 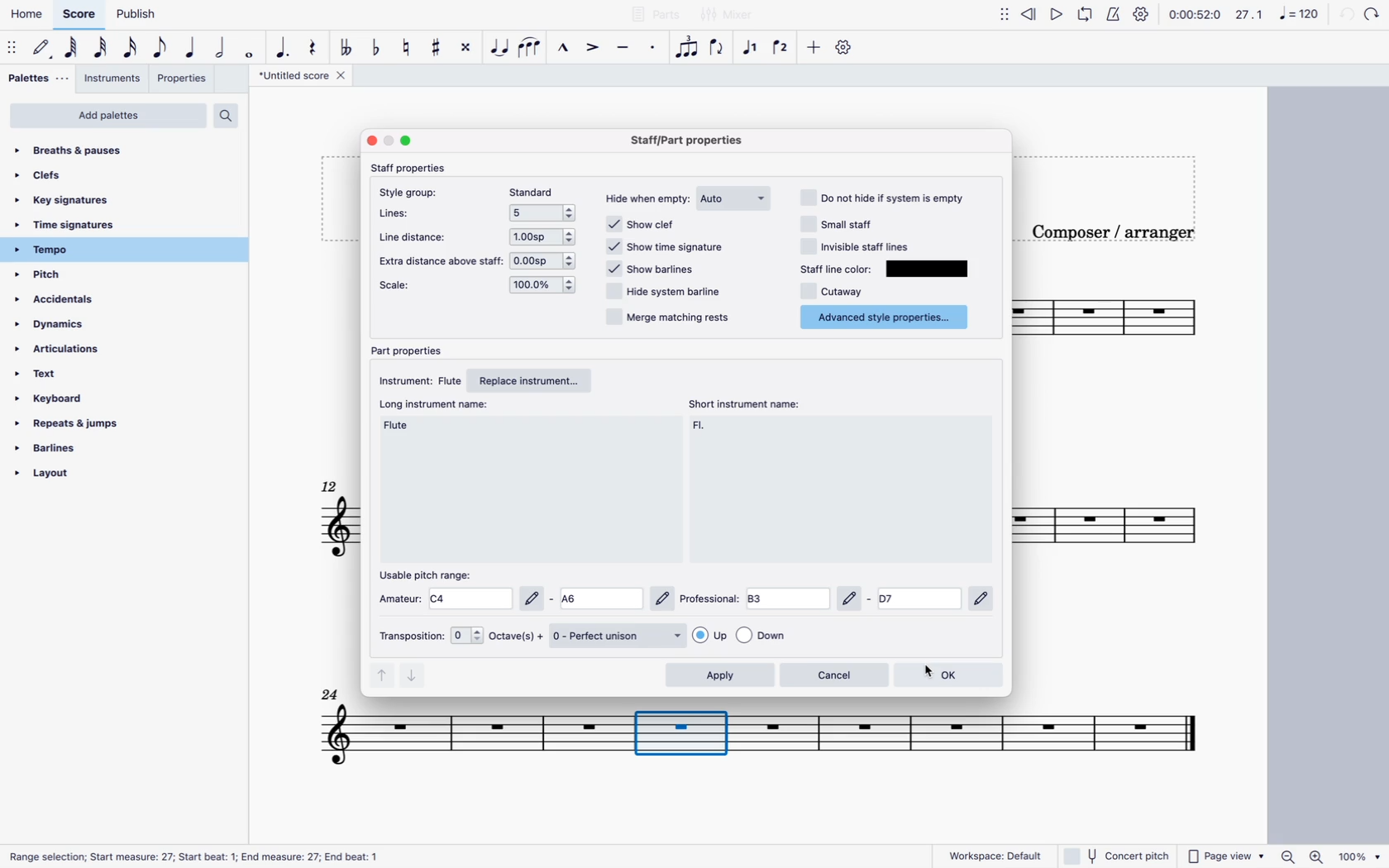 What do you see at coordinates (546, 262) in the screenshot?
I see `options` at bounding box center [546, 262].